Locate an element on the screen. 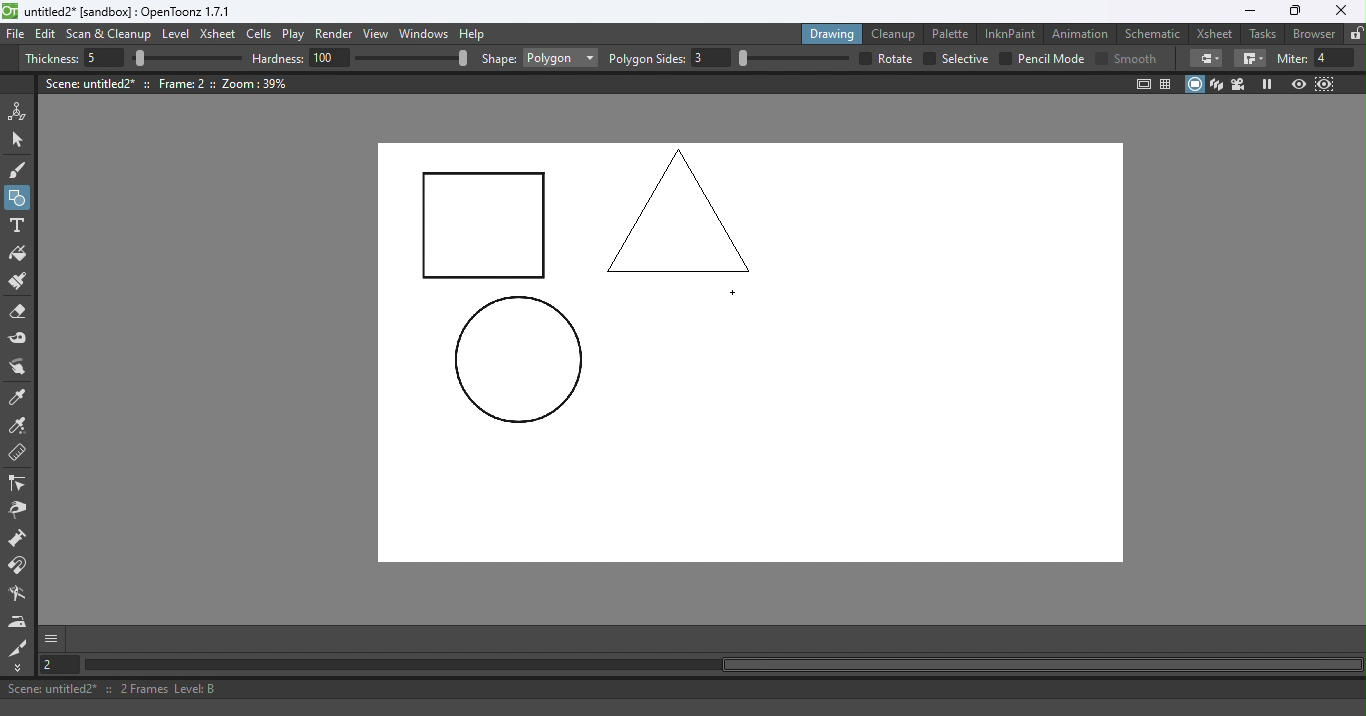 This screenshot has height=716, width=1366. Border corners is located at coordinates (1206, 58).